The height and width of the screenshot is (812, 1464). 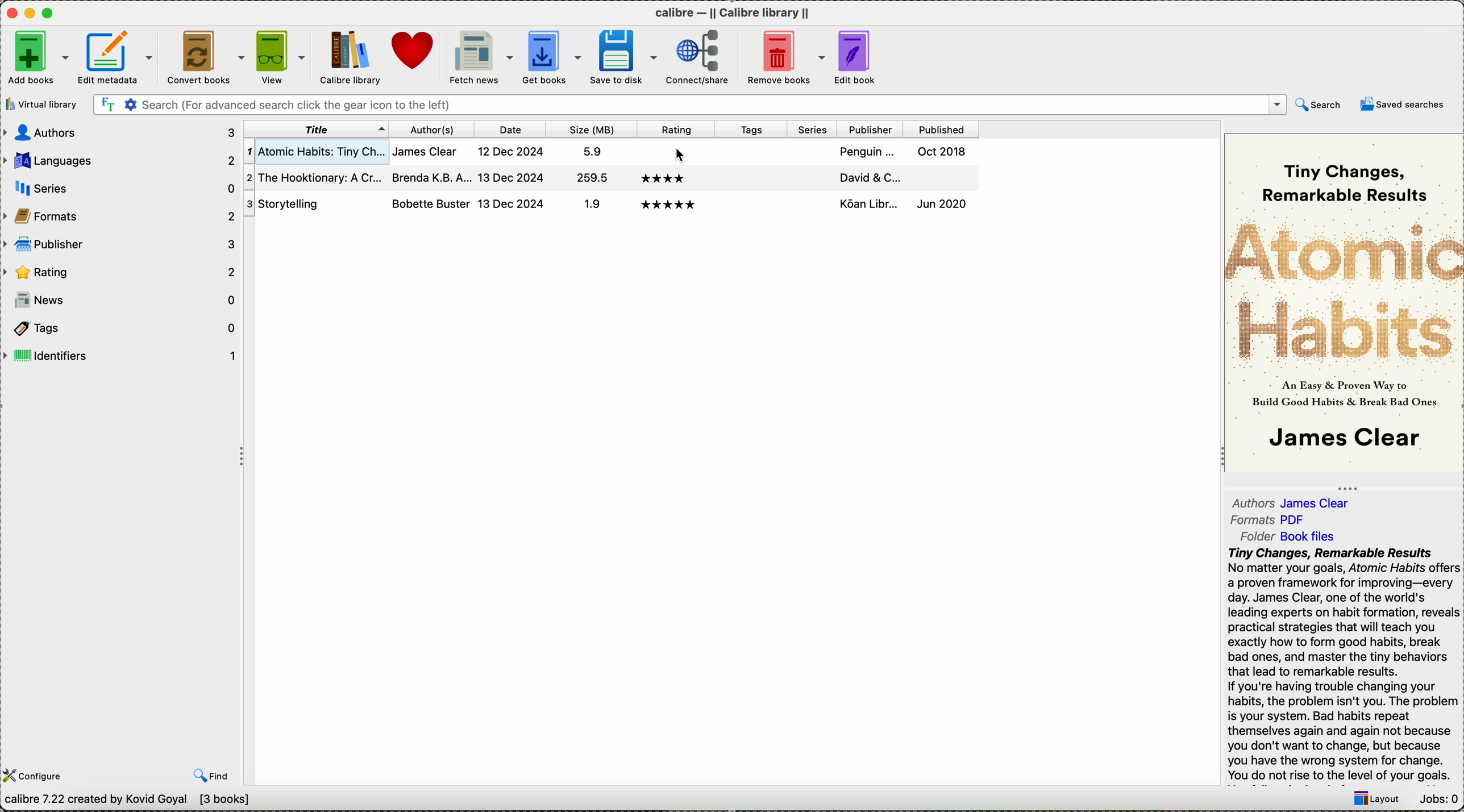 I want to click on virtual library, so click(x=41, y=104).